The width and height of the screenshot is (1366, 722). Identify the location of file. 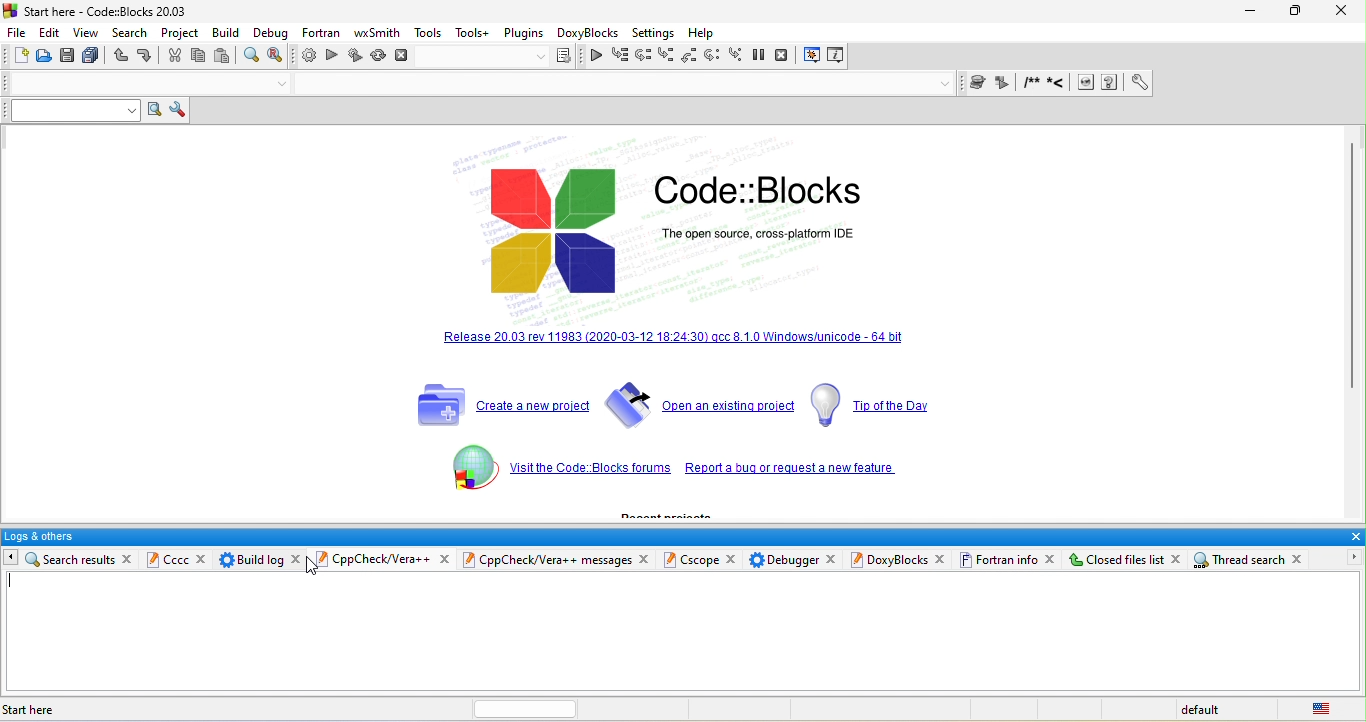
(16, 32).